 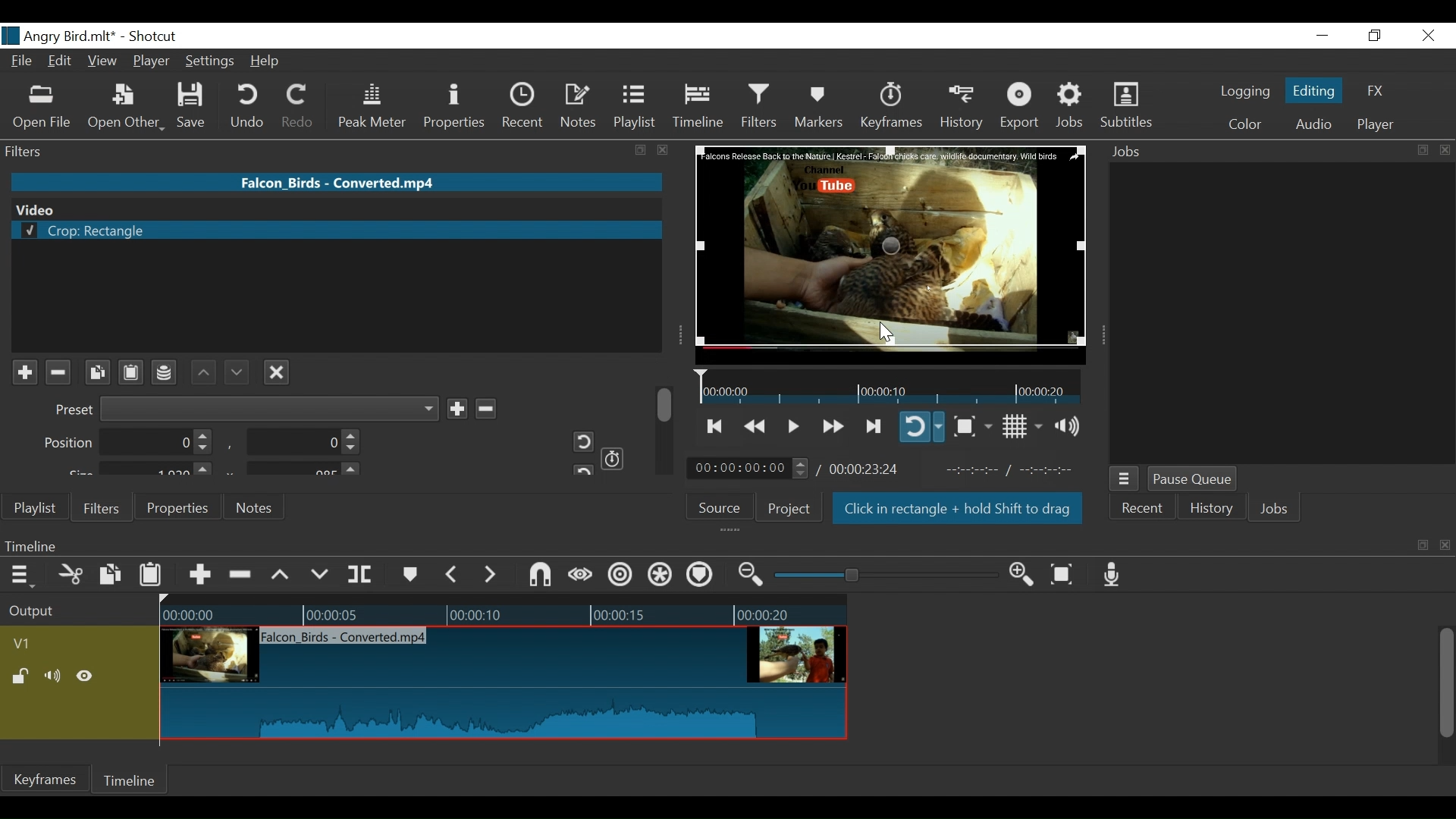 I want to click on Remove cut, so click(x=242, y=576).